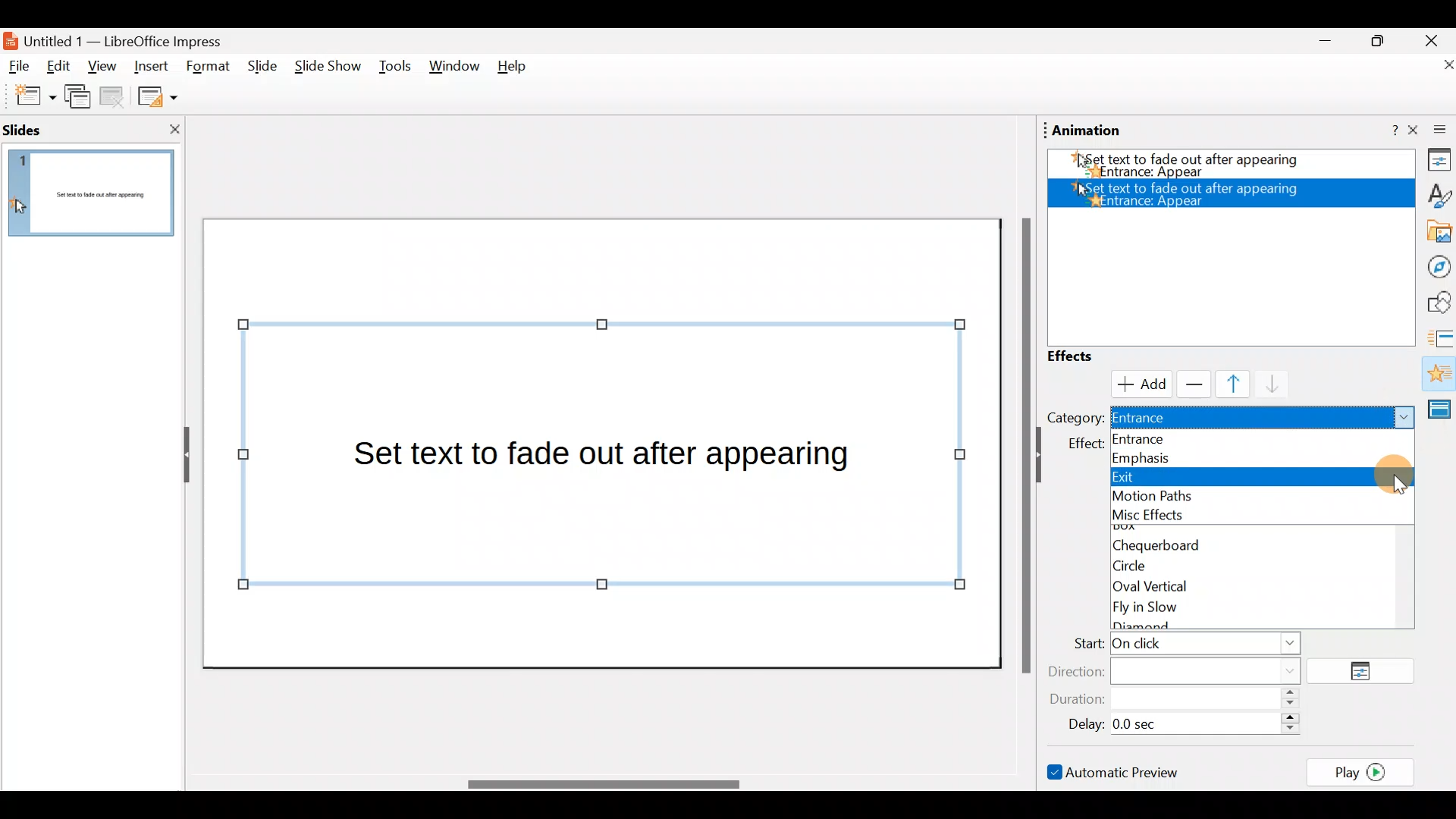 This screenshot has width=1456, height=819. I want to click on Style, so click(1434, 194).